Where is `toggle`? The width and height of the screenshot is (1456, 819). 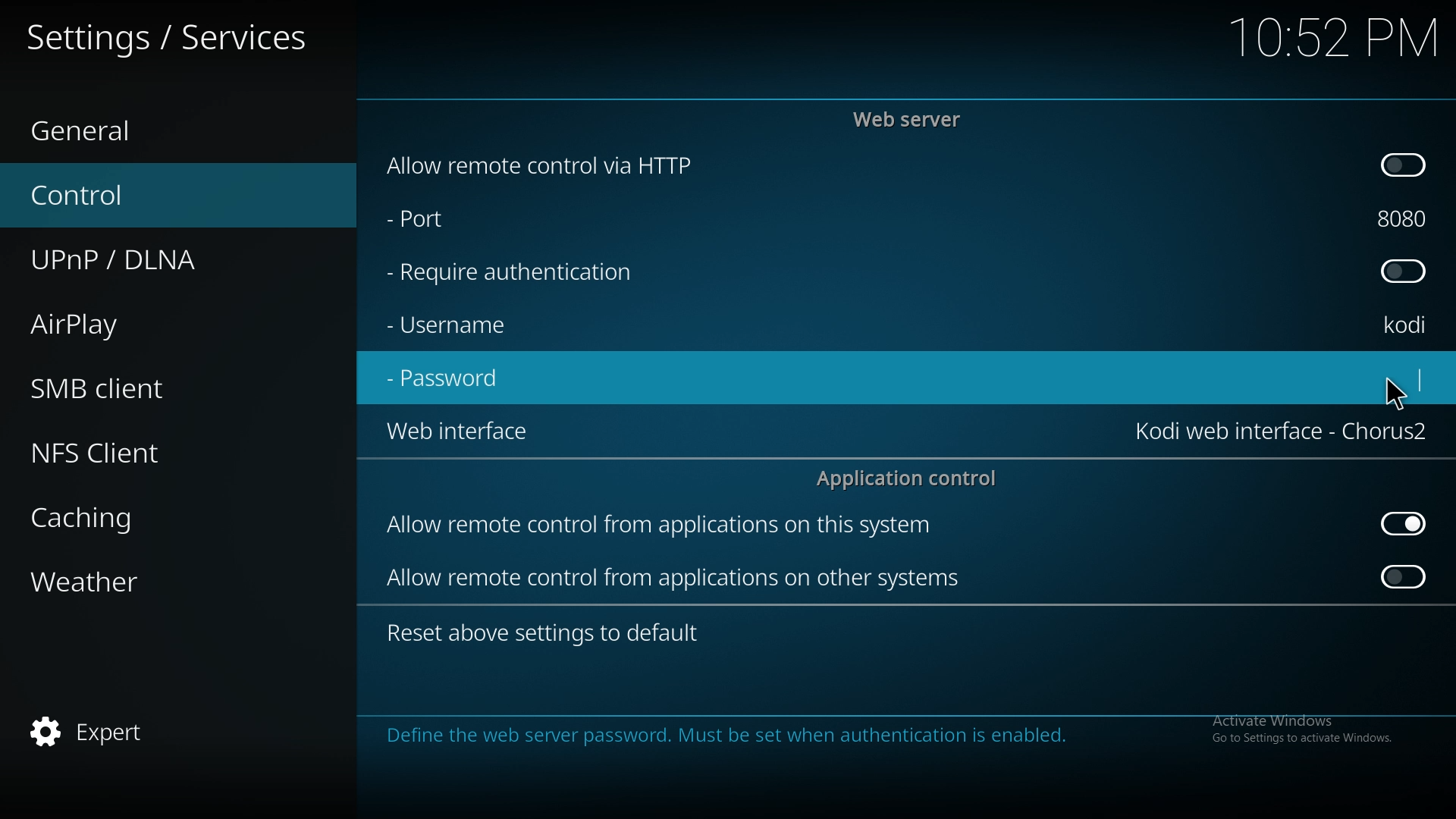 toggle is located at coordinates (1406, 576).